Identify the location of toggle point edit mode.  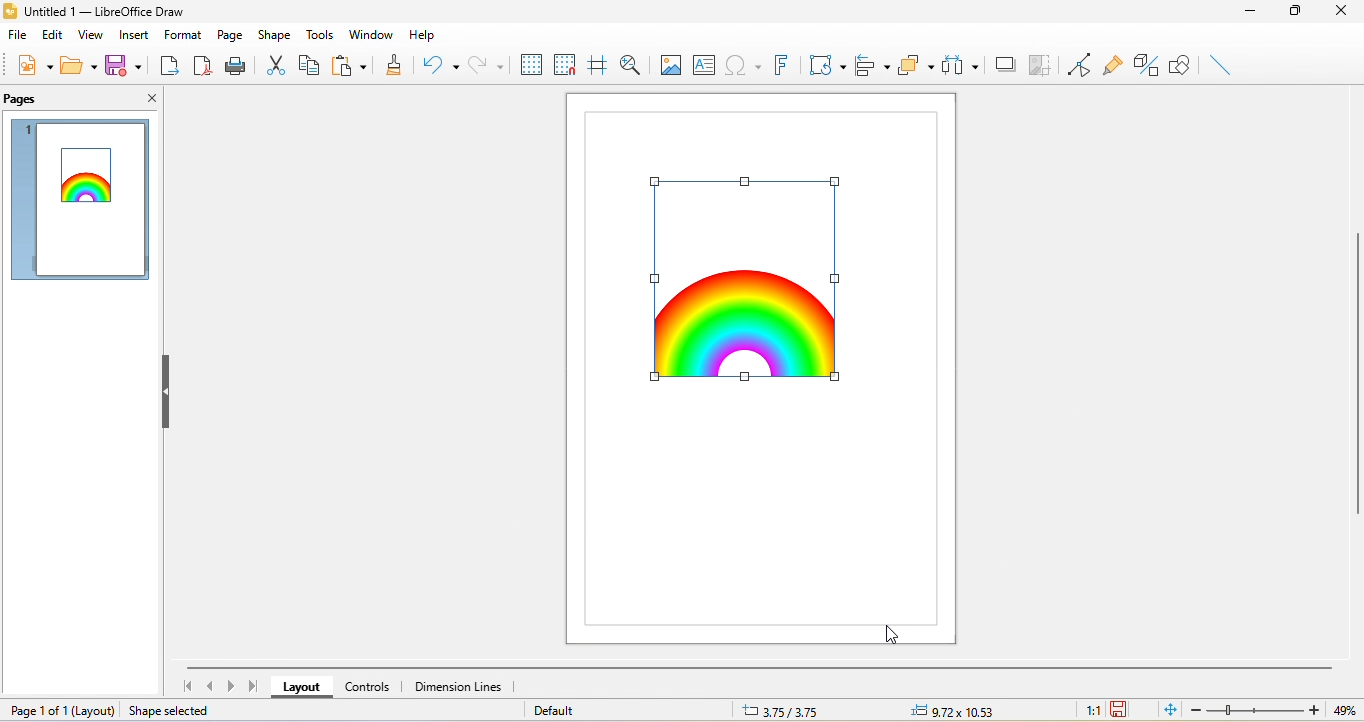
(1080, 64).